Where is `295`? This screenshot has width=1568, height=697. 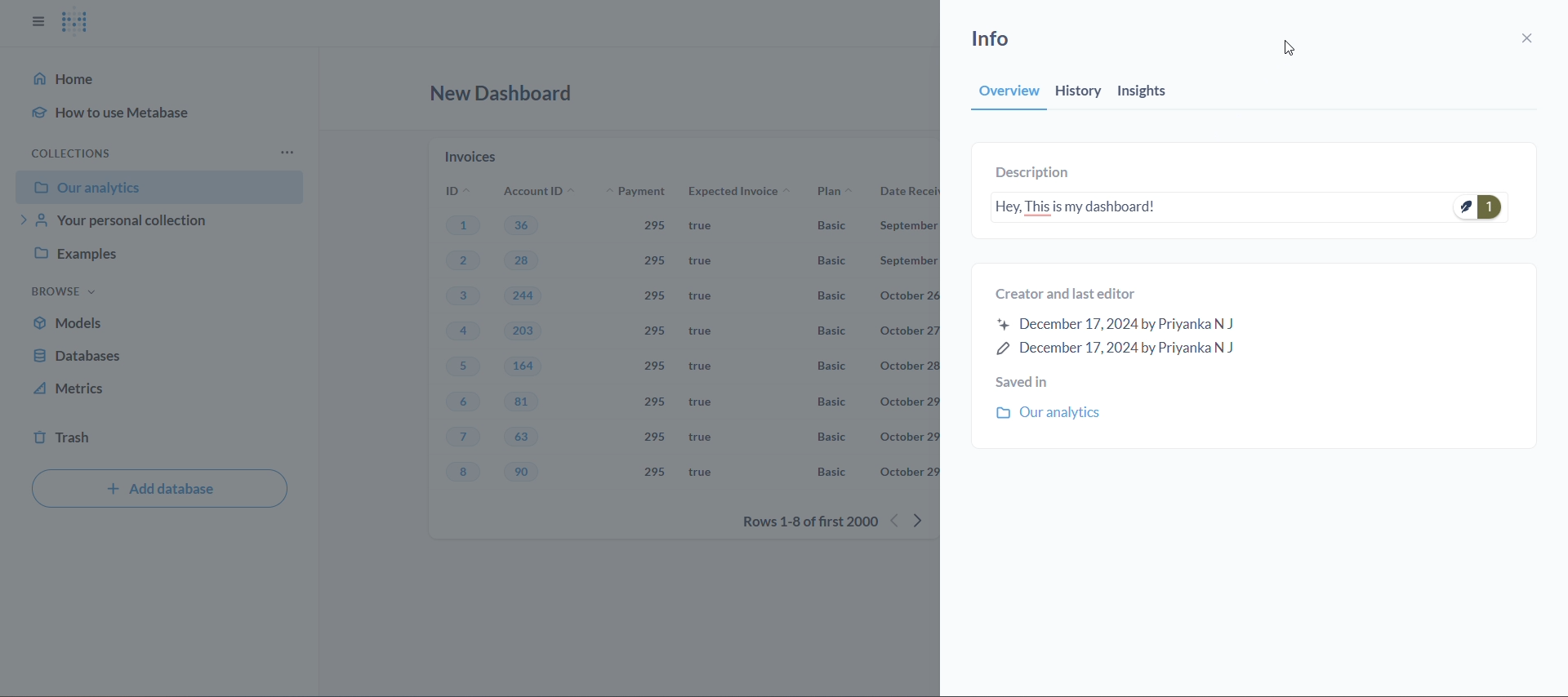
295 is located at coordinates (656, 473).